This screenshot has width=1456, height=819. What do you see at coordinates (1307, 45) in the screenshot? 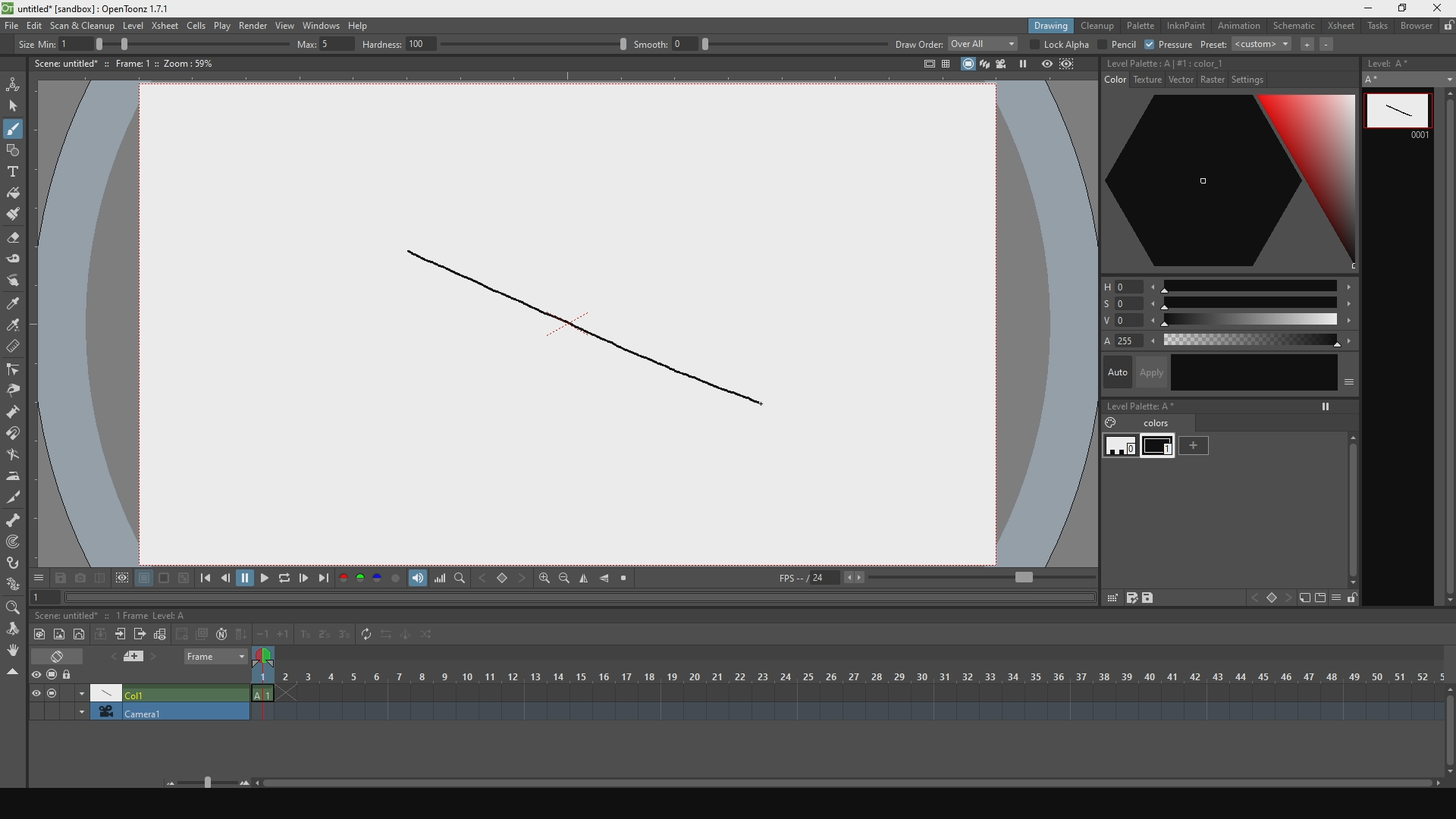
I see `` at bounding box center [1307, 45].